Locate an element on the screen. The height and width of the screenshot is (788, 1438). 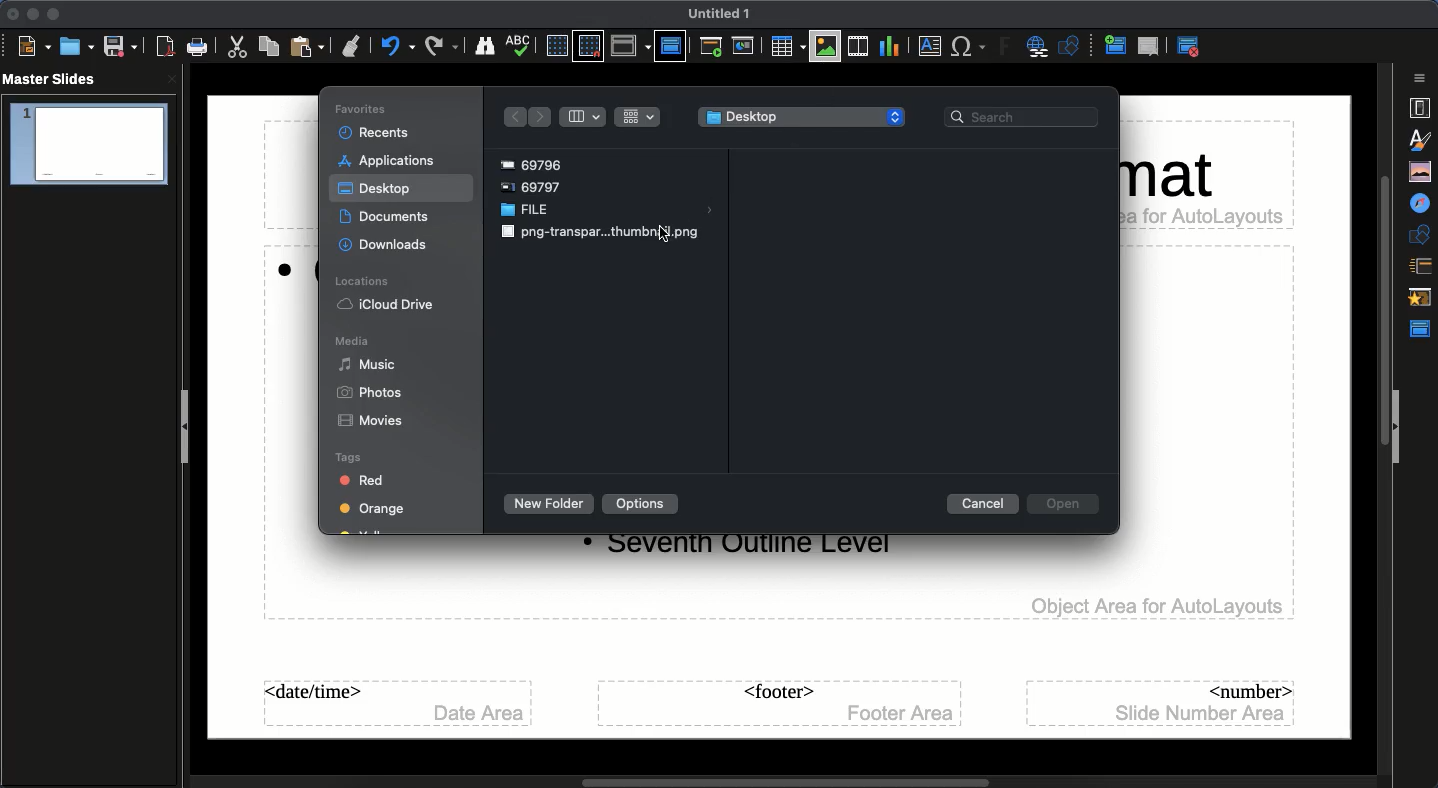
Movies is located at coordinates (373, 421).